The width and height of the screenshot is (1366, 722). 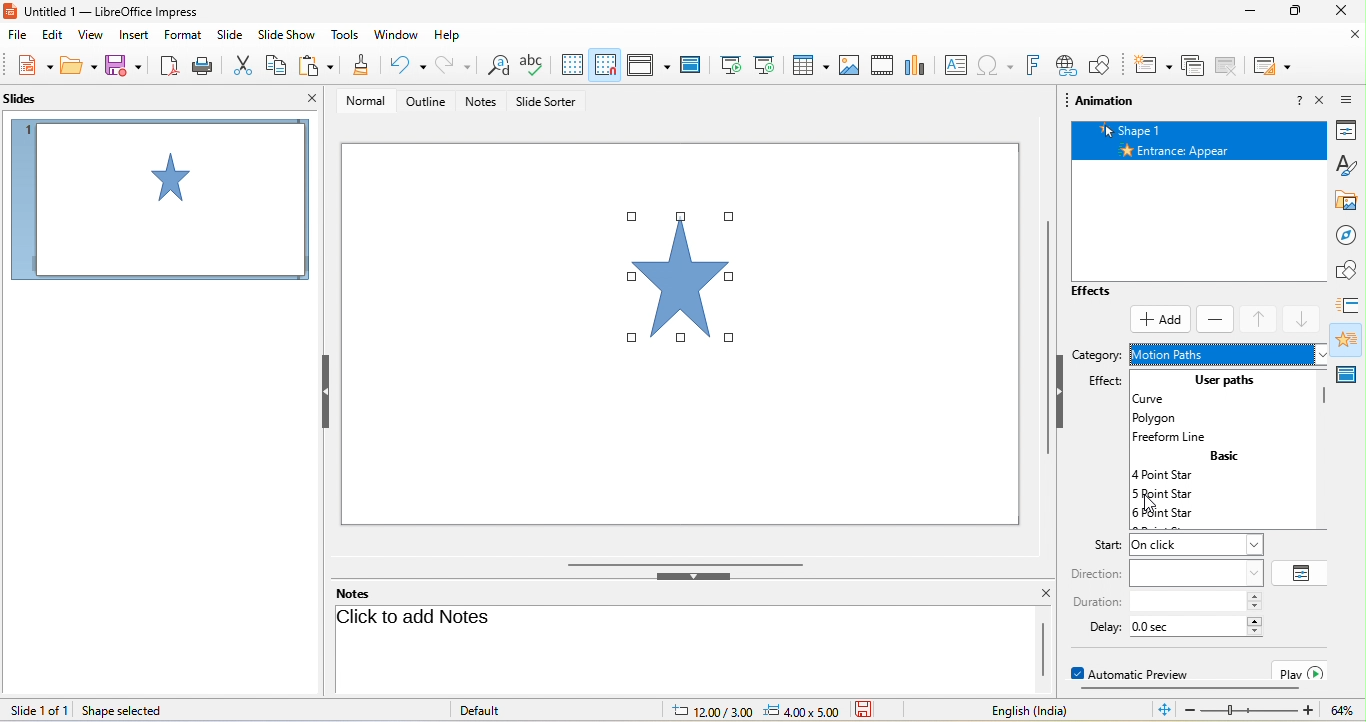 What do you see at coordinates (994, 65) in the screenshot?
I see `special character` at bounding box center [994, 65].